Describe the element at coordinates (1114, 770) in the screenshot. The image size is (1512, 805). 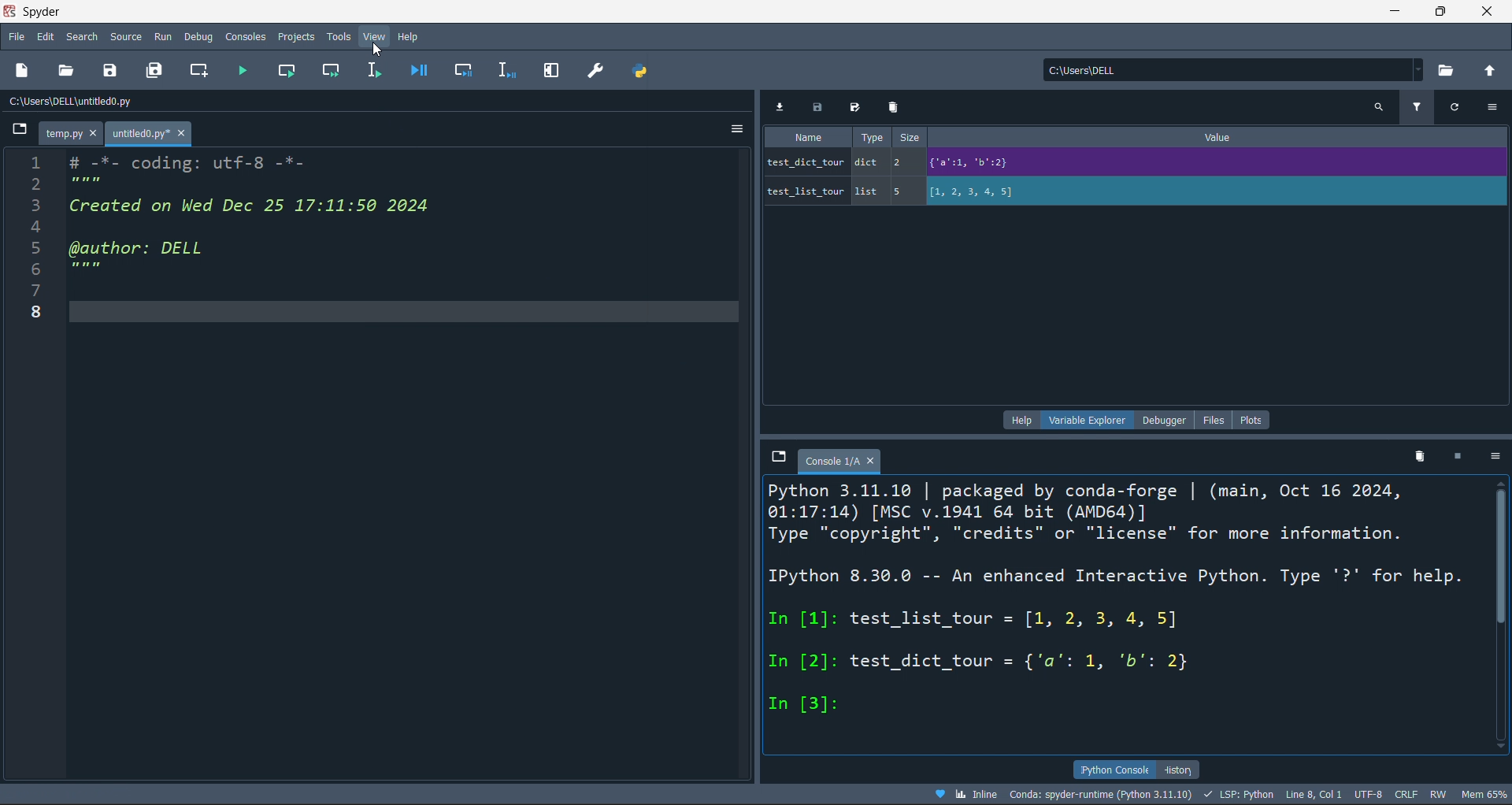
I see `ipython console` at that location.